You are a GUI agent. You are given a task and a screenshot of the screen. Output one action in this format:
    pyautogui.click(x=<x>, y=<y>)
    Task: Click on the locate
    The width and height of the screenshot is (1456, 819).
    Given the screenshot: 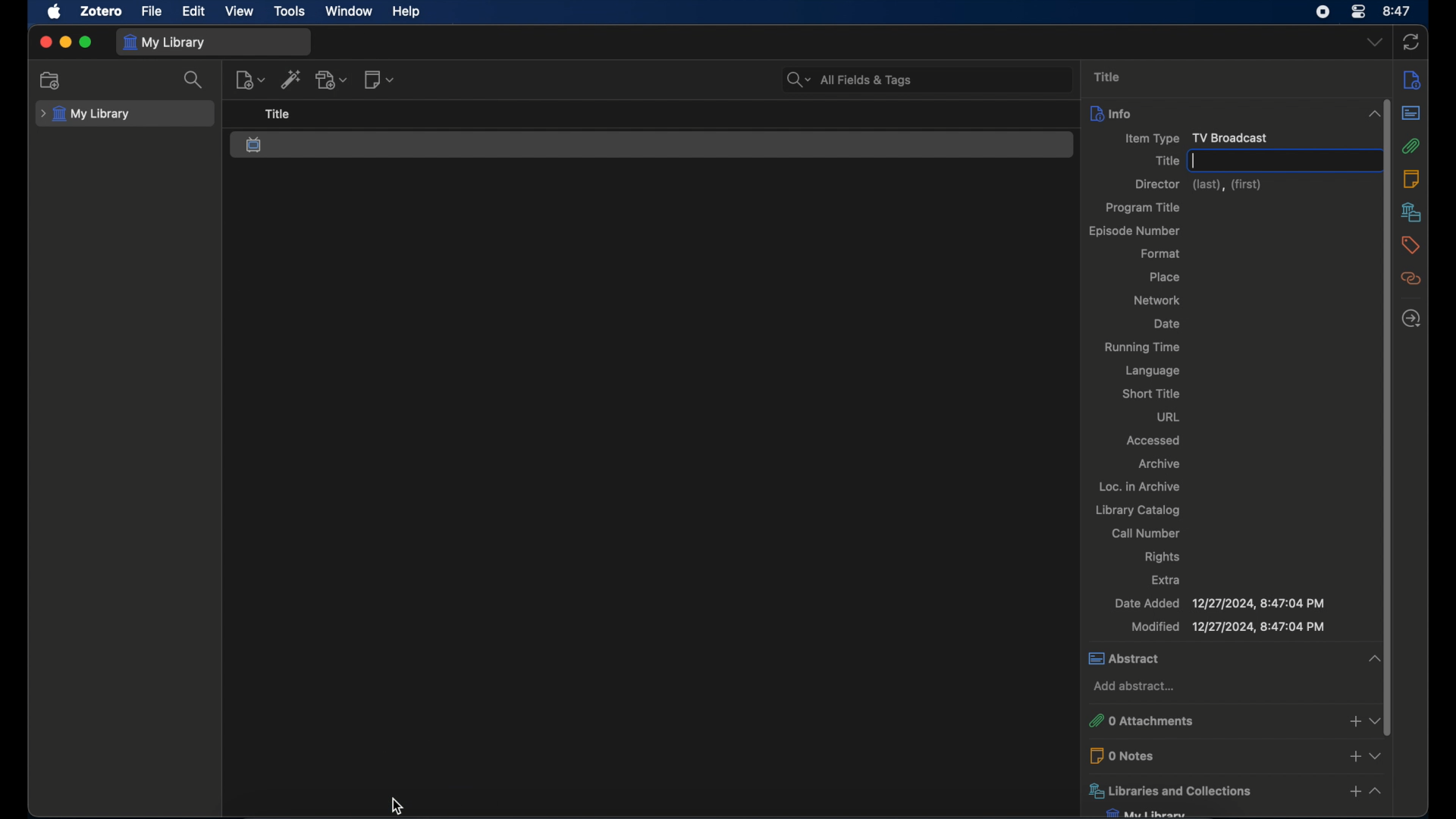 What is the action you would take?
    pyautogui.click(x=1411, y=318)
    